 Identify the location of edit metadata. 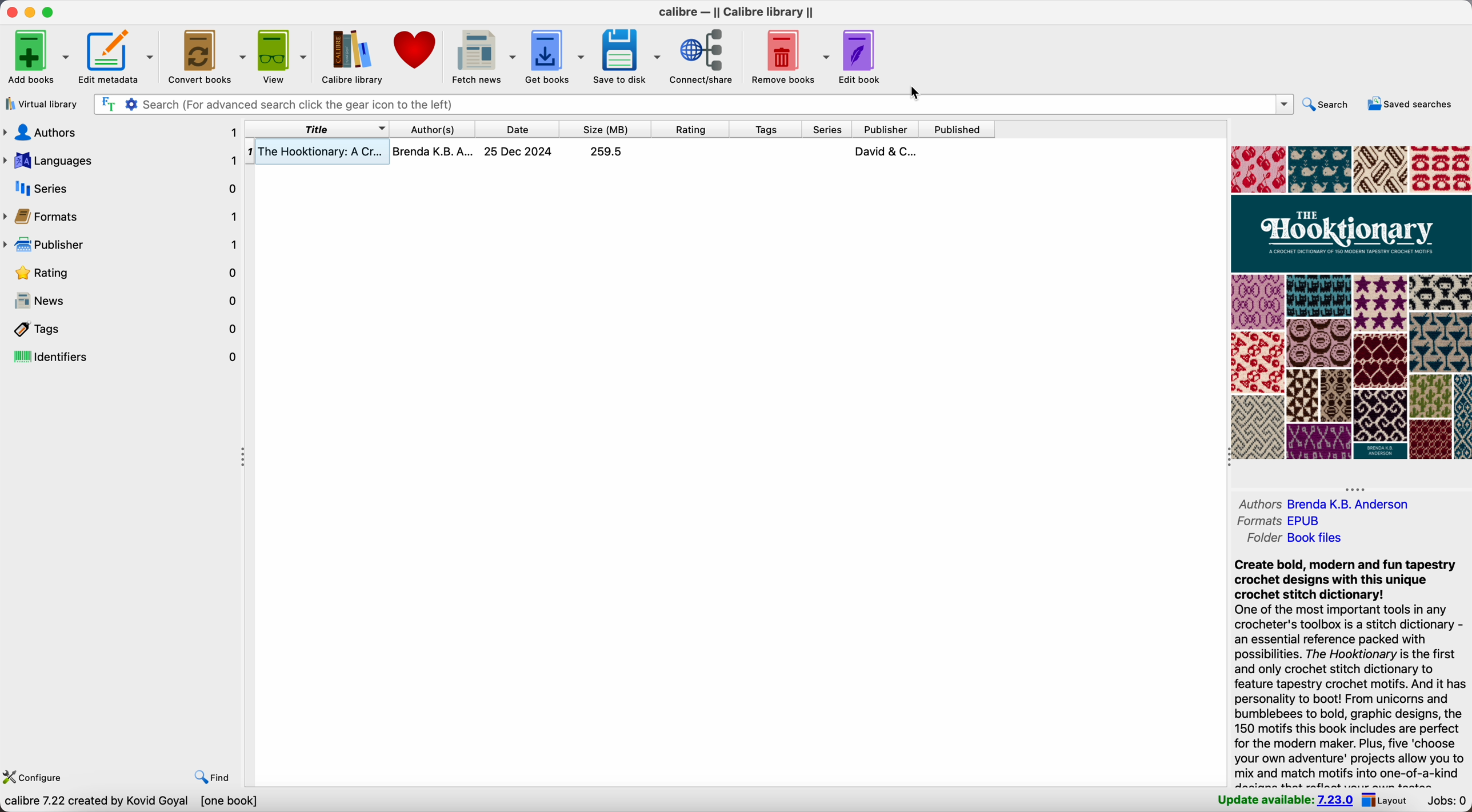
(116, 57).